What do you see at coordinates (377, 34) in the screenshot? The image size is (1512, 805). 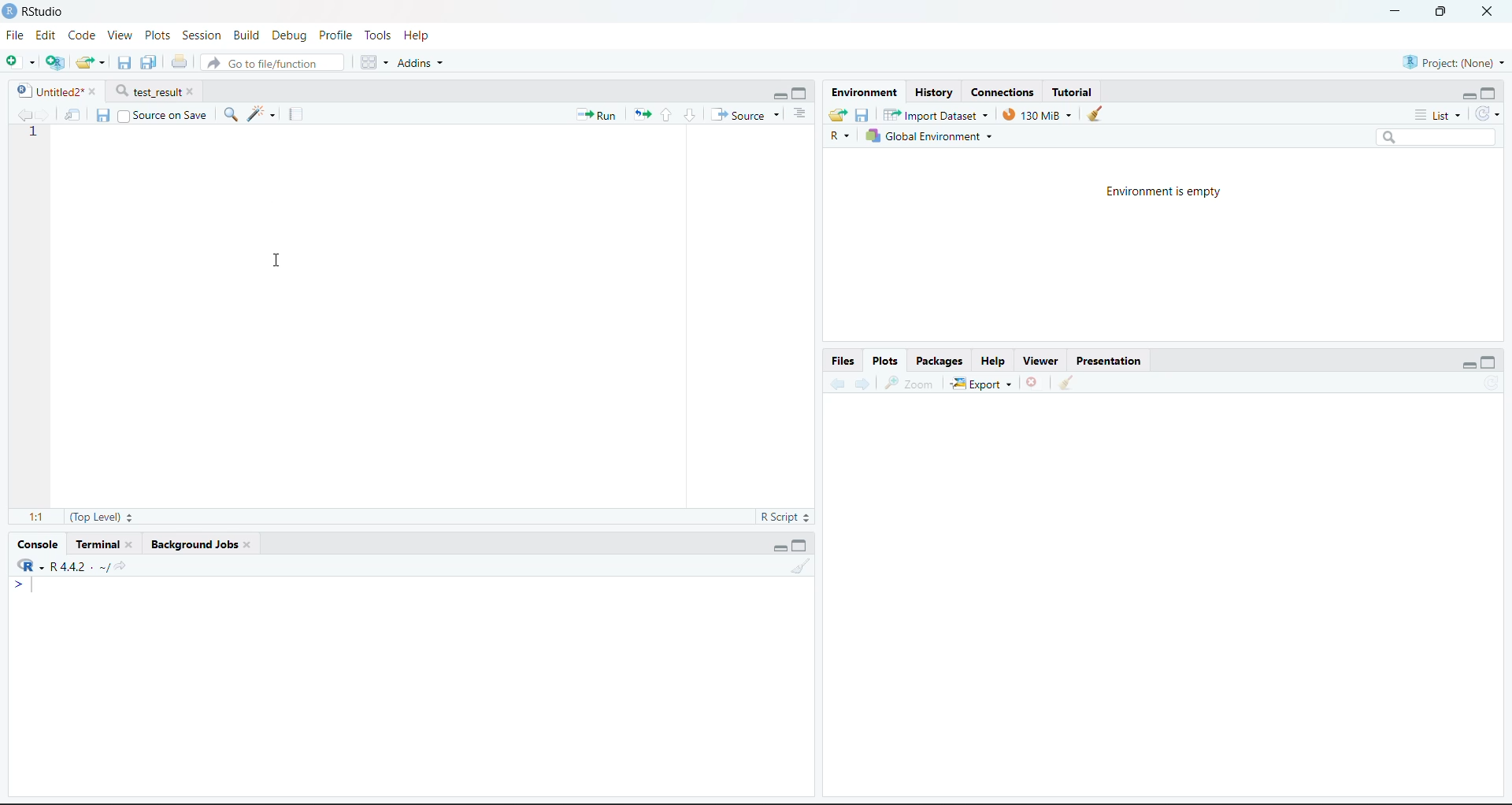 I see `Tools` at bounding box center [377, 34].